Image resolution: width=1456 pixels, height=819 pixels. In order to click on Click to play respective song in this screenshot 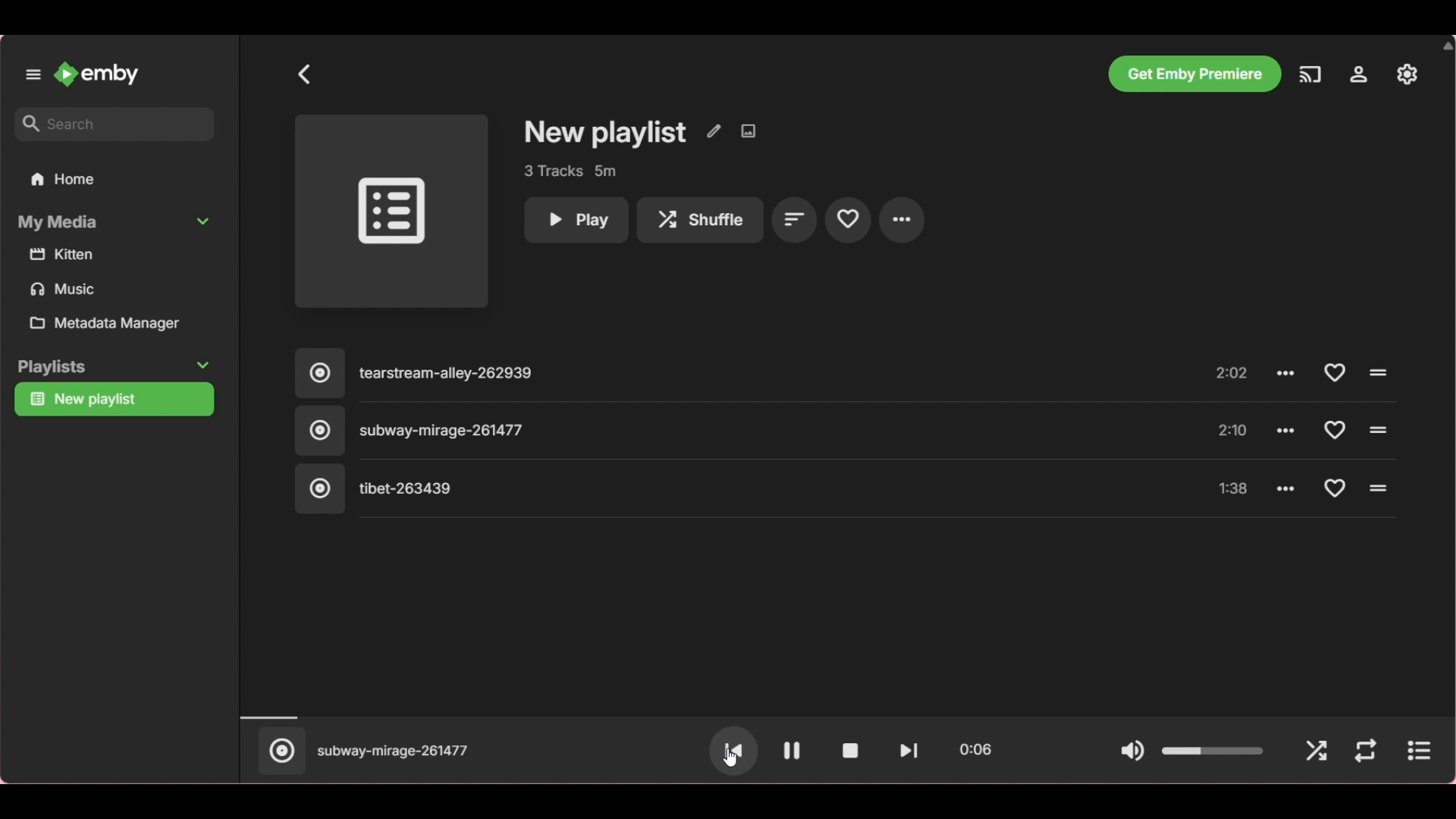, I will do `click(1376, 373)`.